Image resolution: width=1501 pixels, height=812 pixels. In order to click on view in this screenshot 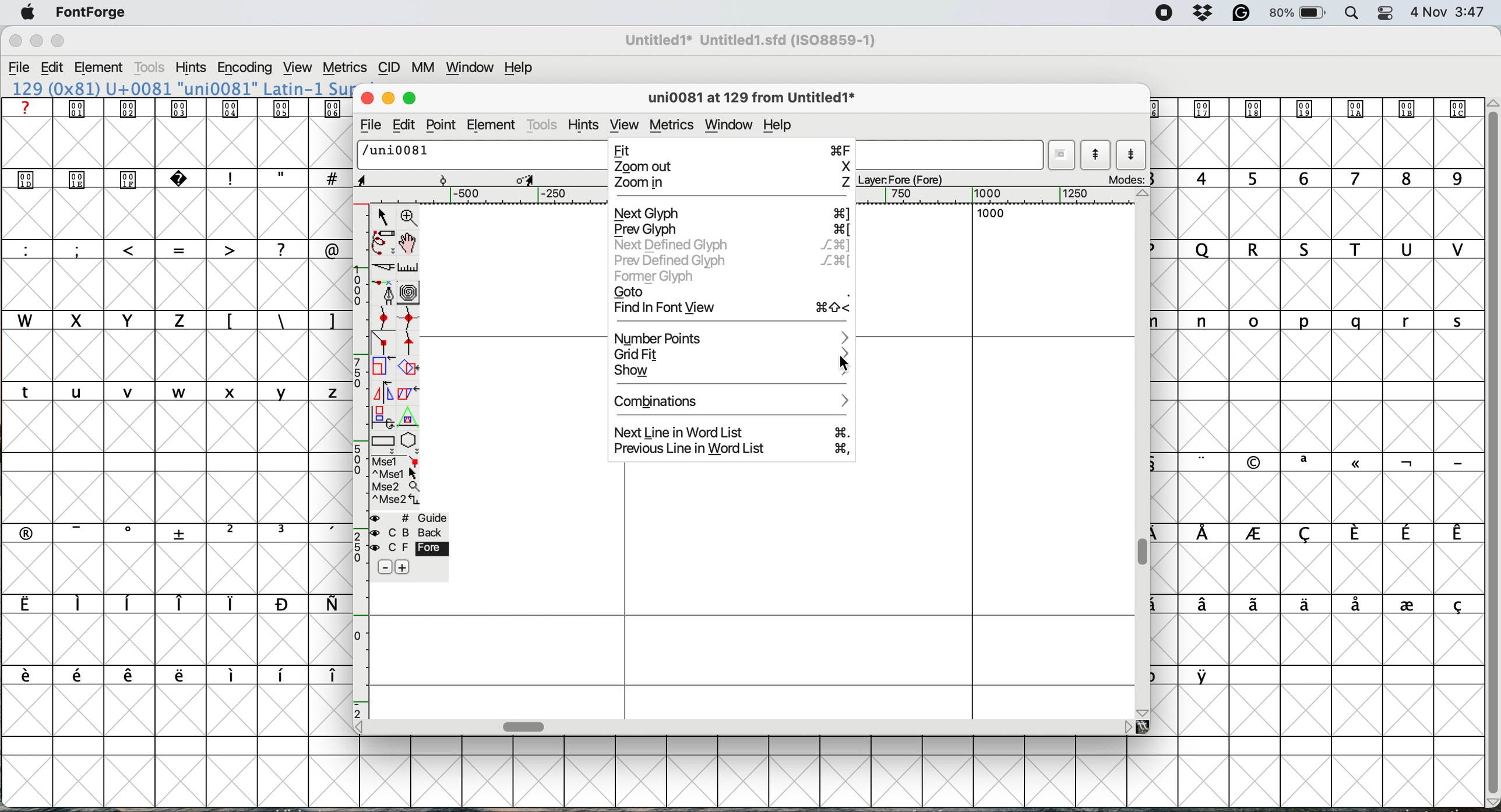, I will do `click(624, 121)`.